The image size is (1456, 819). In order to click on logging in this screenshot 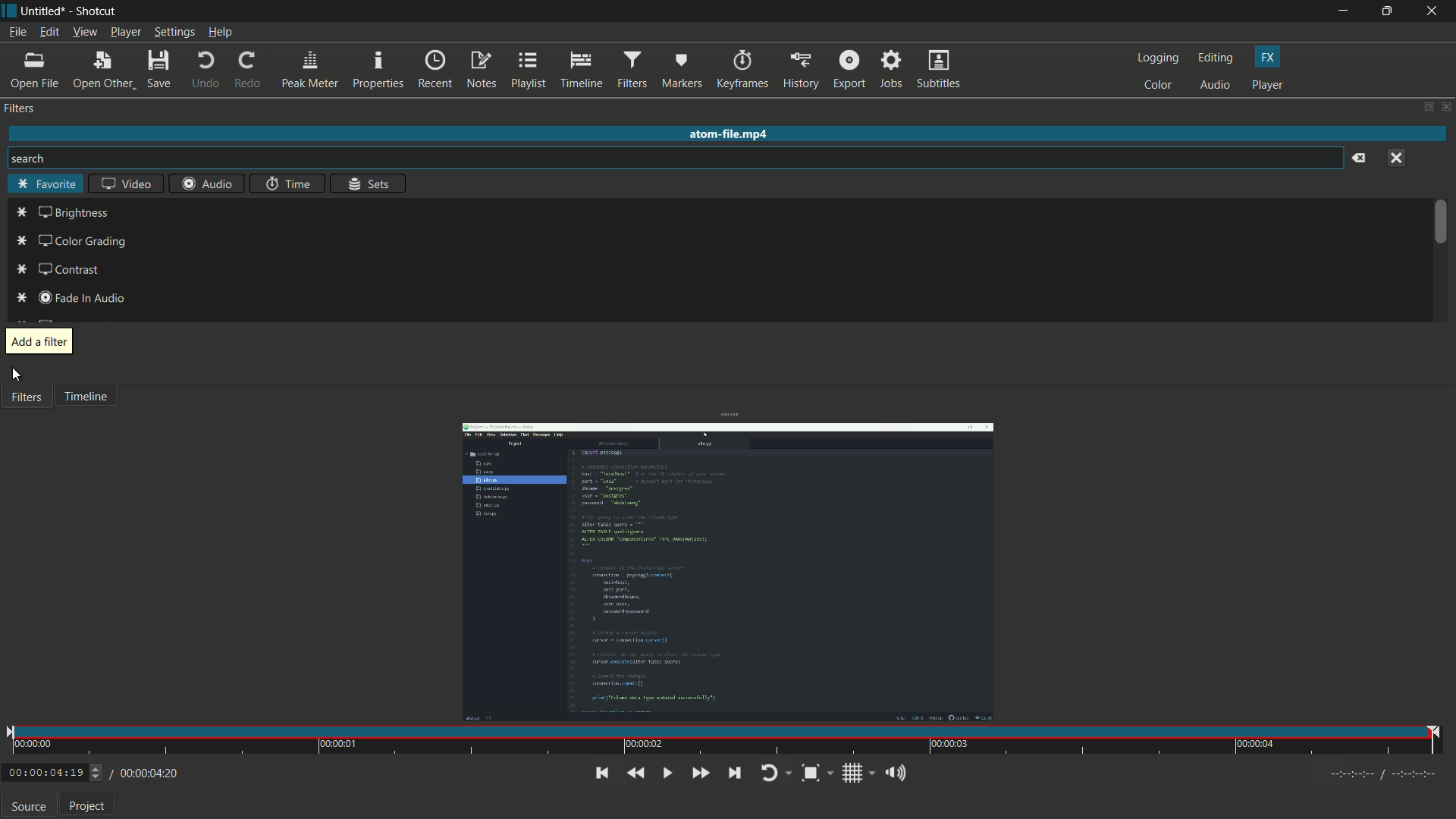, I will do `click(1158, 58)`.